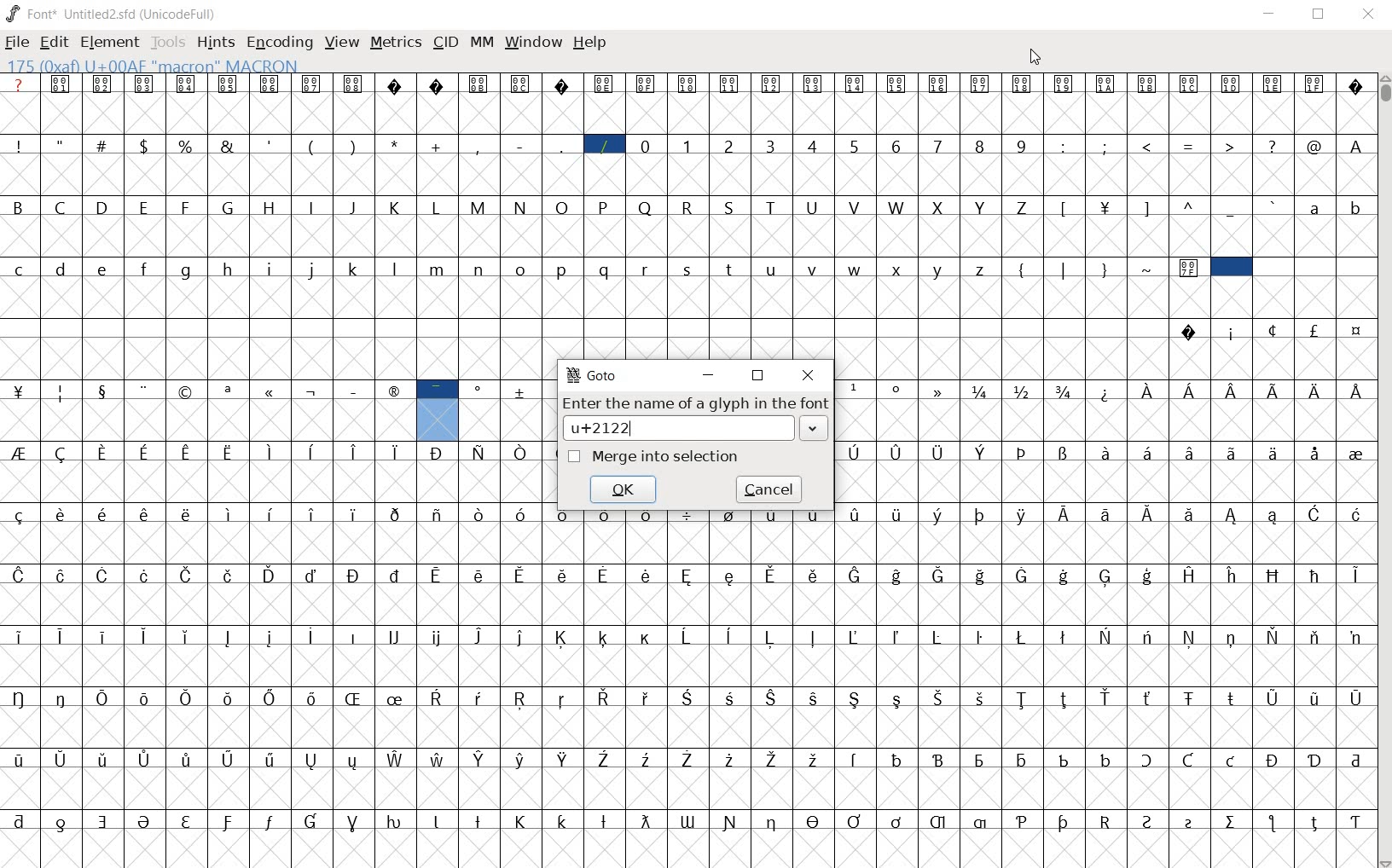  What do you see at coordinates (624, 490) in the screenshot?
I see `ok` at bounding box center [624, 490].